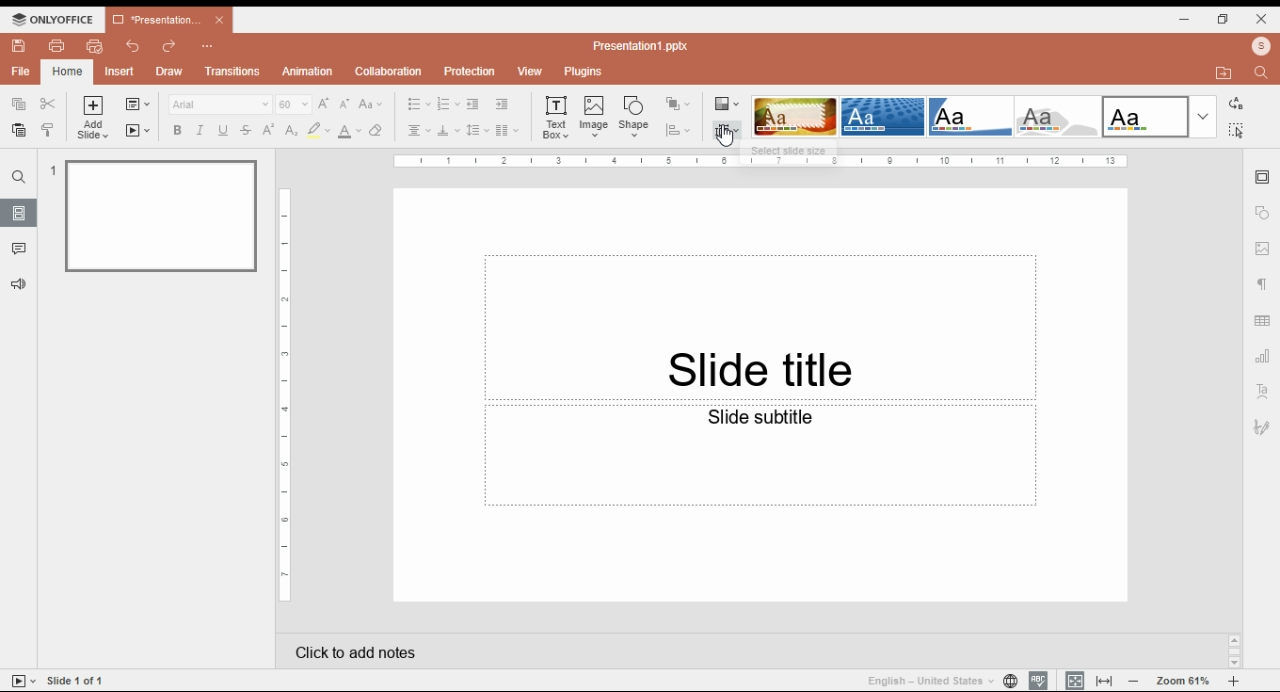 The width and height of the screenshot is (1280, 692). Describe the element at coordinates (1263, 390) in the screenshot. I see `text art settings` at that location.